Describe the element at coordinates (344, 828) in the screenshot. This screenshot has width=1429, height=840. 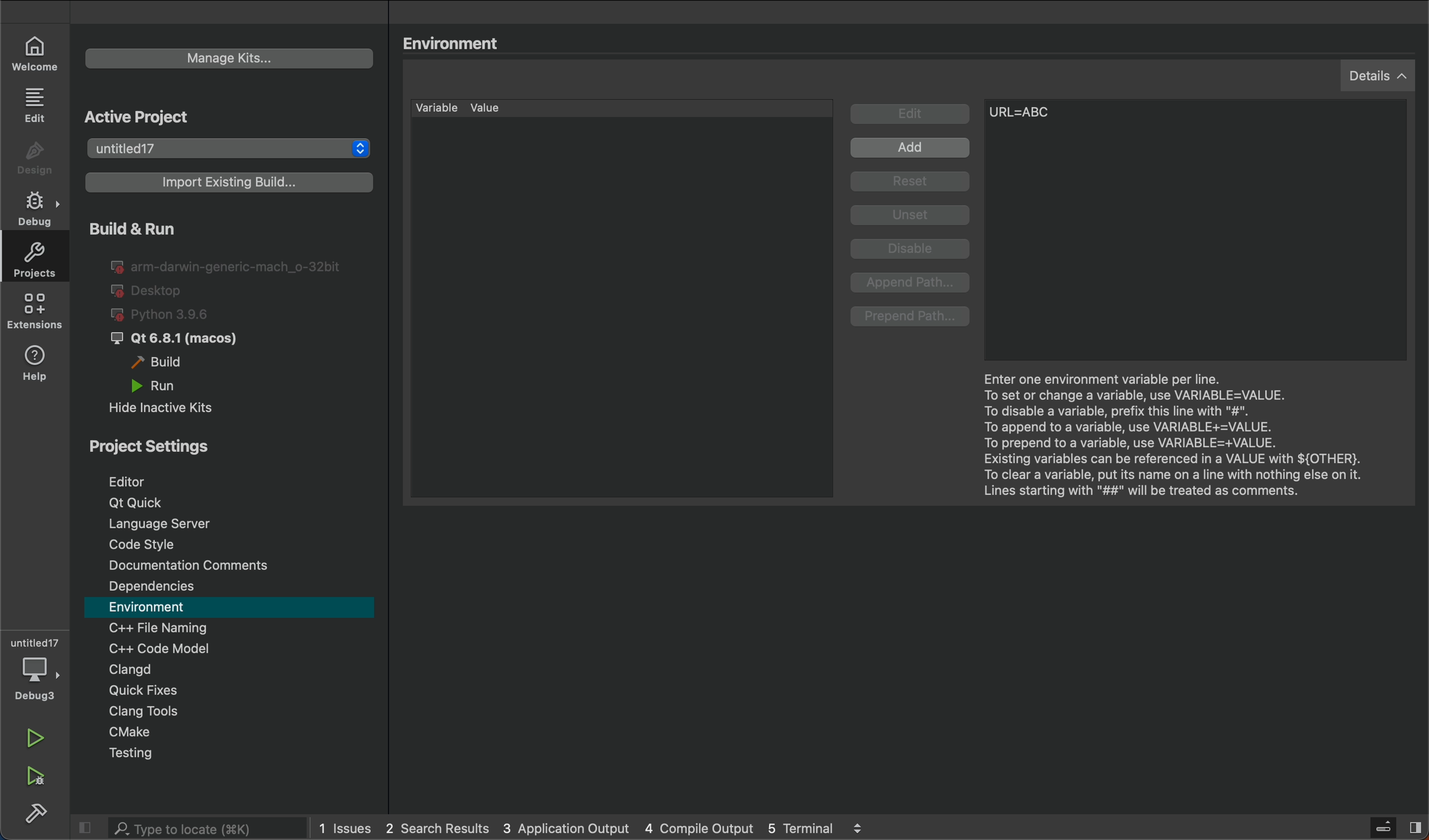
I see `issues` at that location.